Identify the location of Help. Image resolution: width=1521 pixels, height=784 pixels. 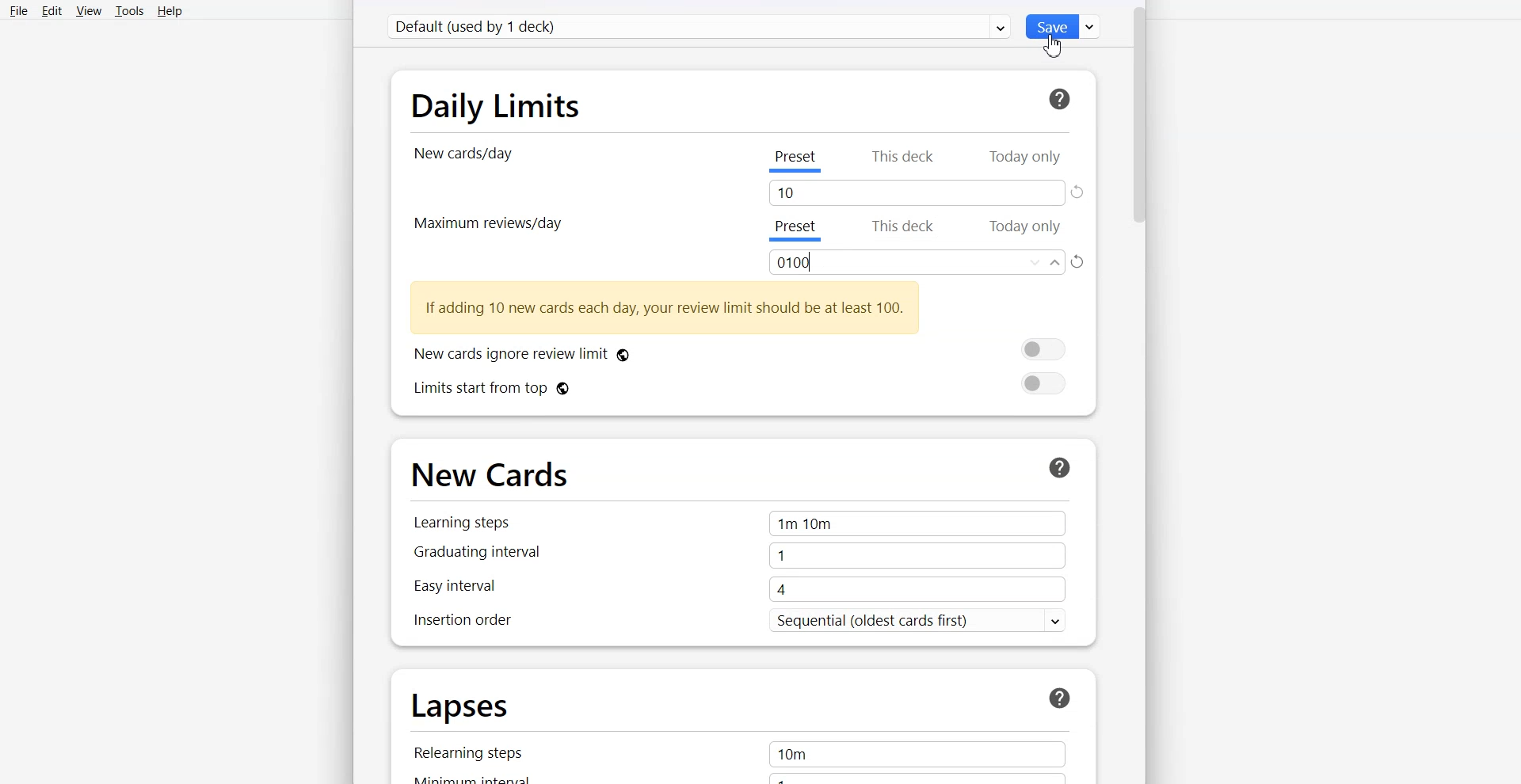
(170, 11).